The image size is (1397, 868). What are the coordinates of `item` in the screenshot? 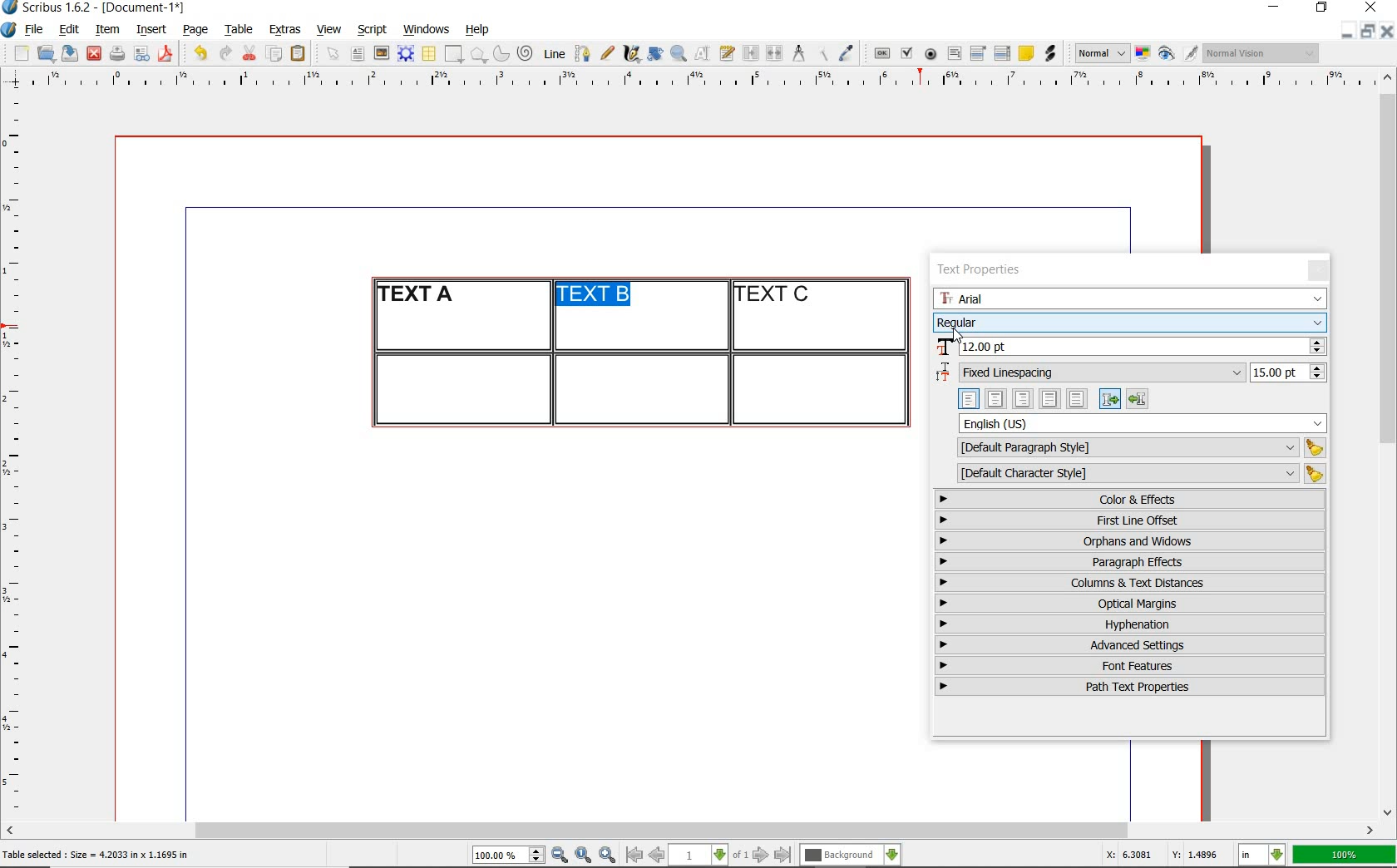 It's located at (106, 30).